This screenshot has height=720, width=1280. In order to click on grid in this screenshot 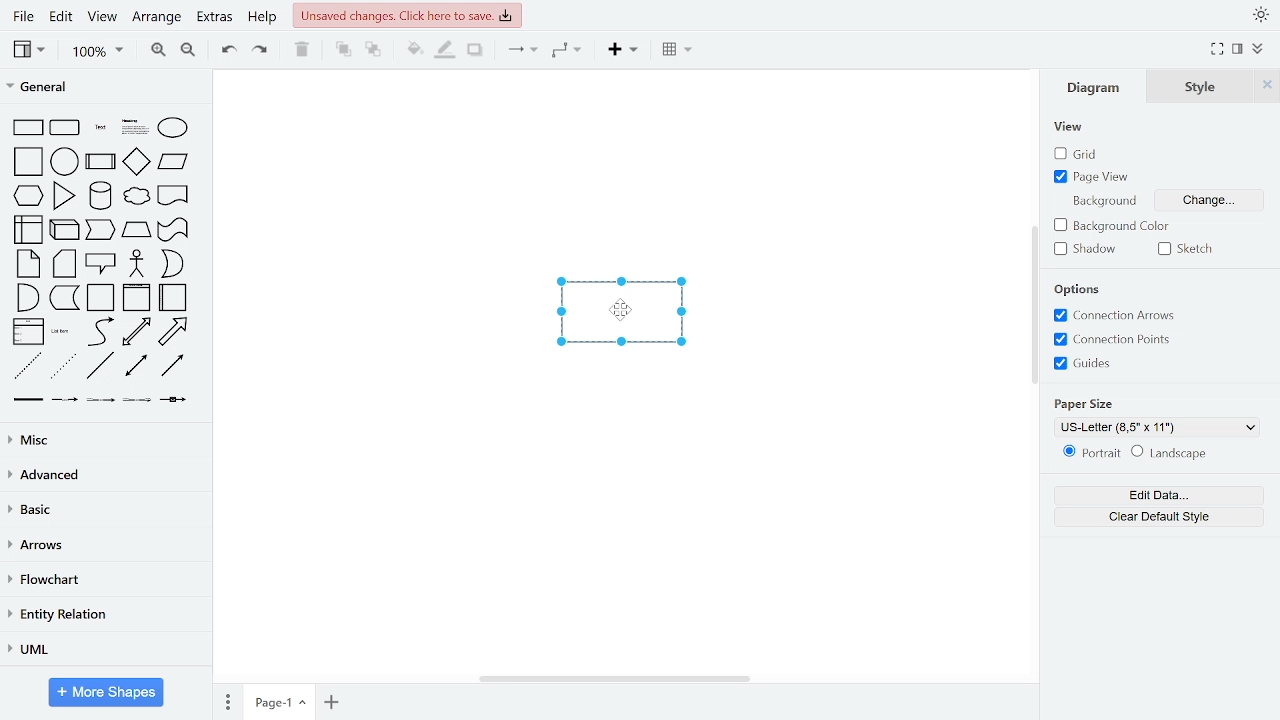, I will do `click(1081, 154)`.